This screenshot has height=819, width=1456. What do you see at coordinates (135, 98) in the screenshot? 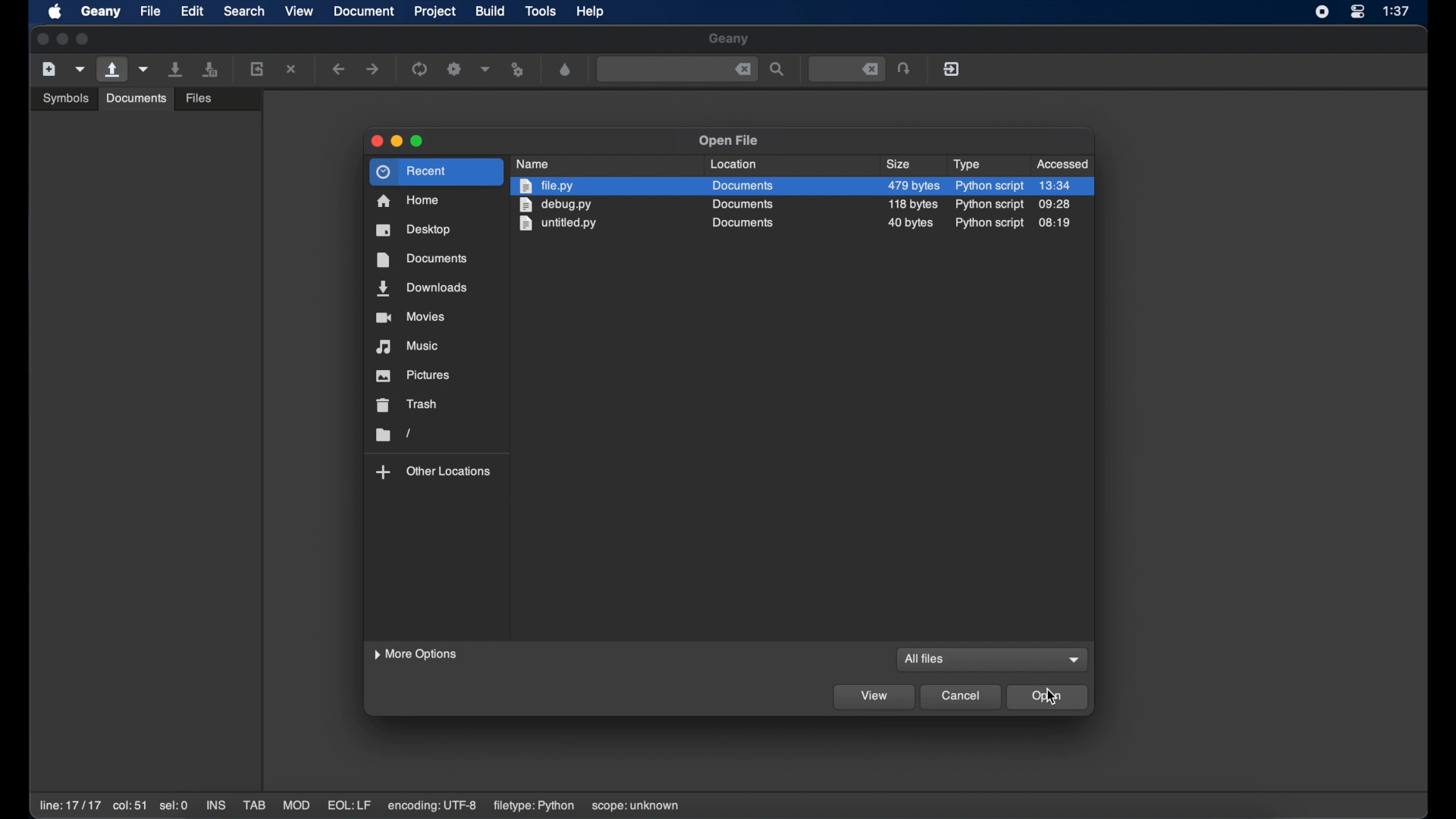
I see `documents` at bounding box center [135, 98].